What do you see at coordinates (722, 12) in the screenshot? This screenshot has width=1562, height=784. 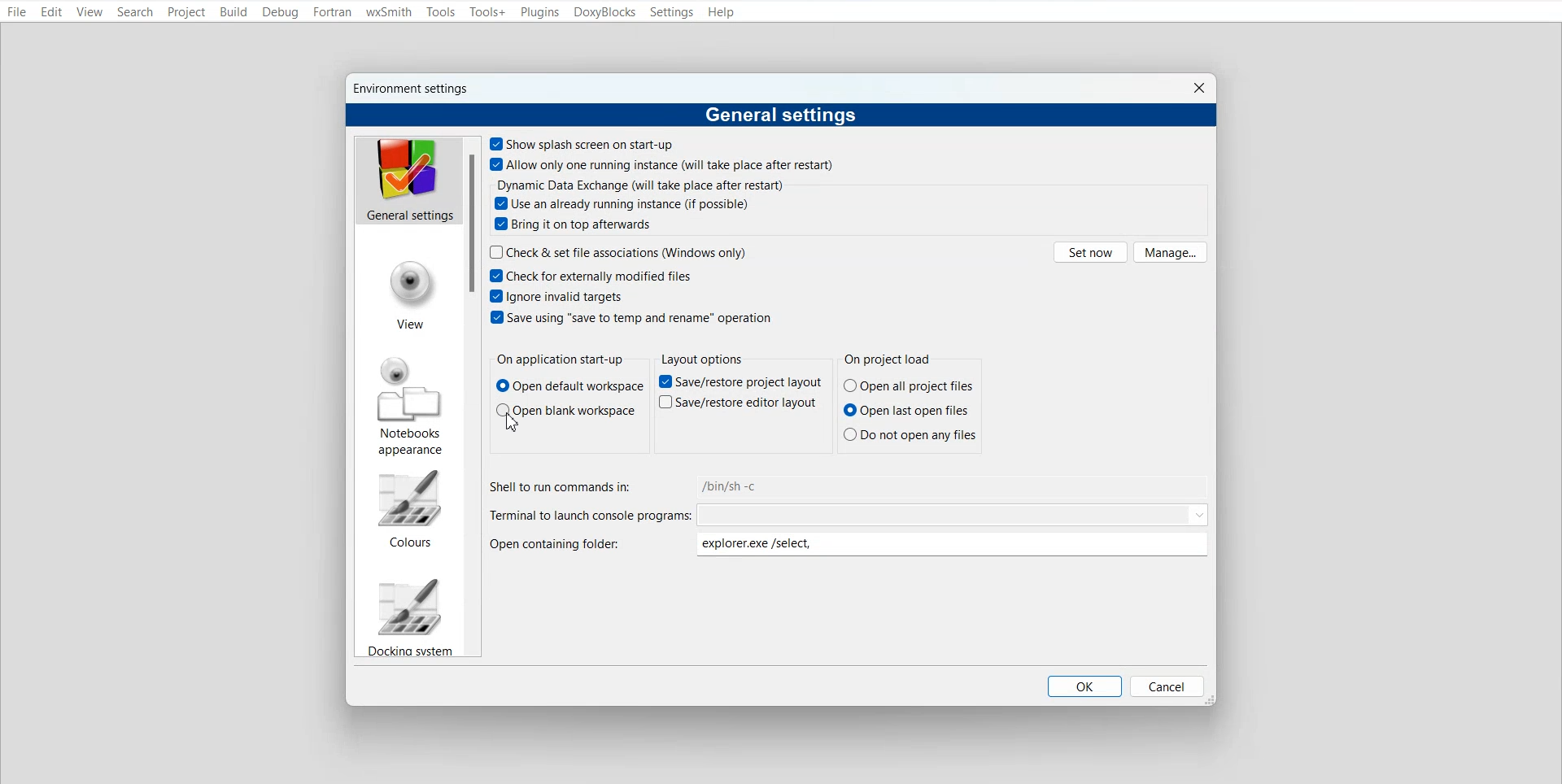 I see `Help` at bounding box center [722, 12].